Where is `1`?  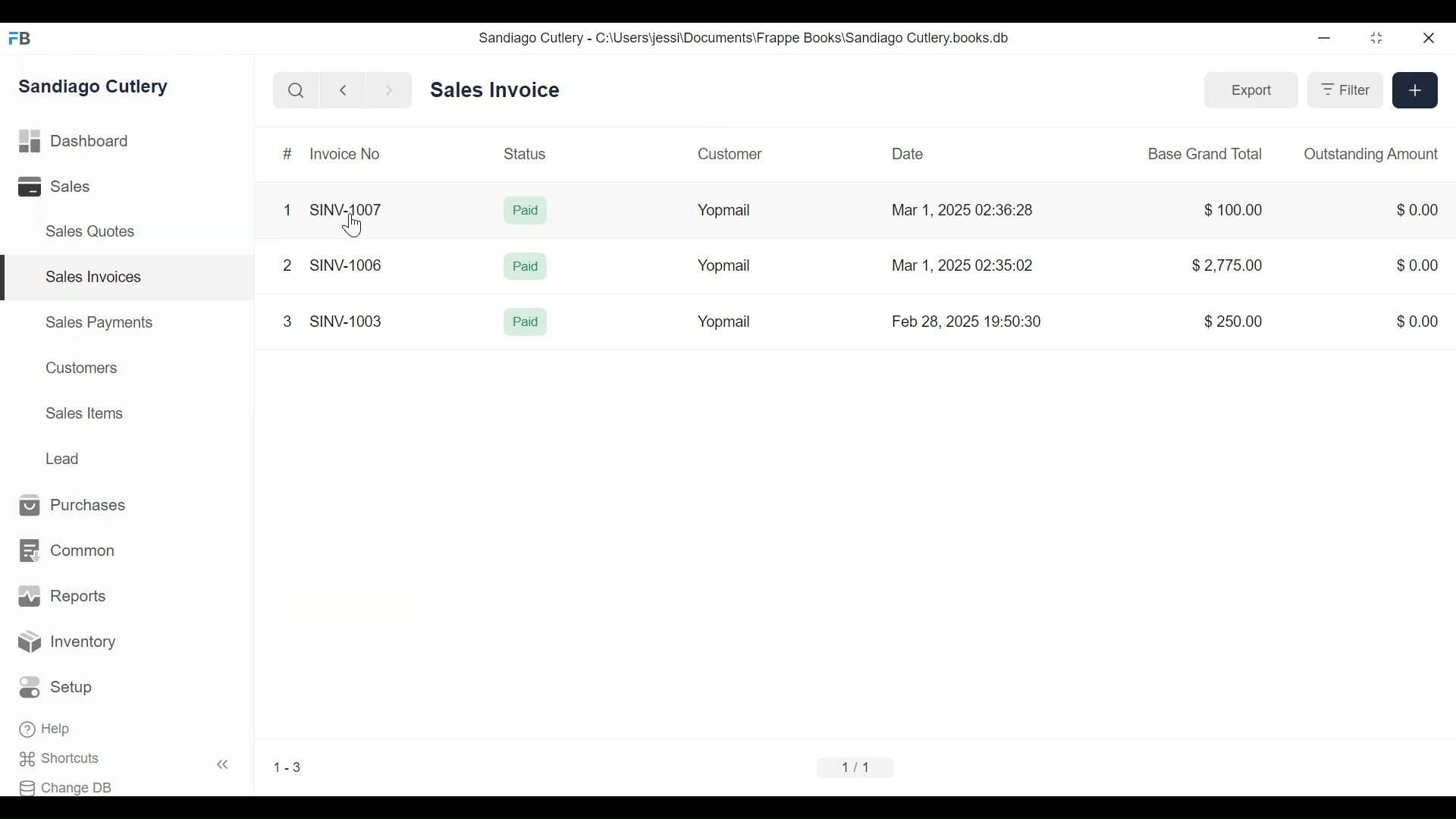
1 is located at coordinates (287, 210).